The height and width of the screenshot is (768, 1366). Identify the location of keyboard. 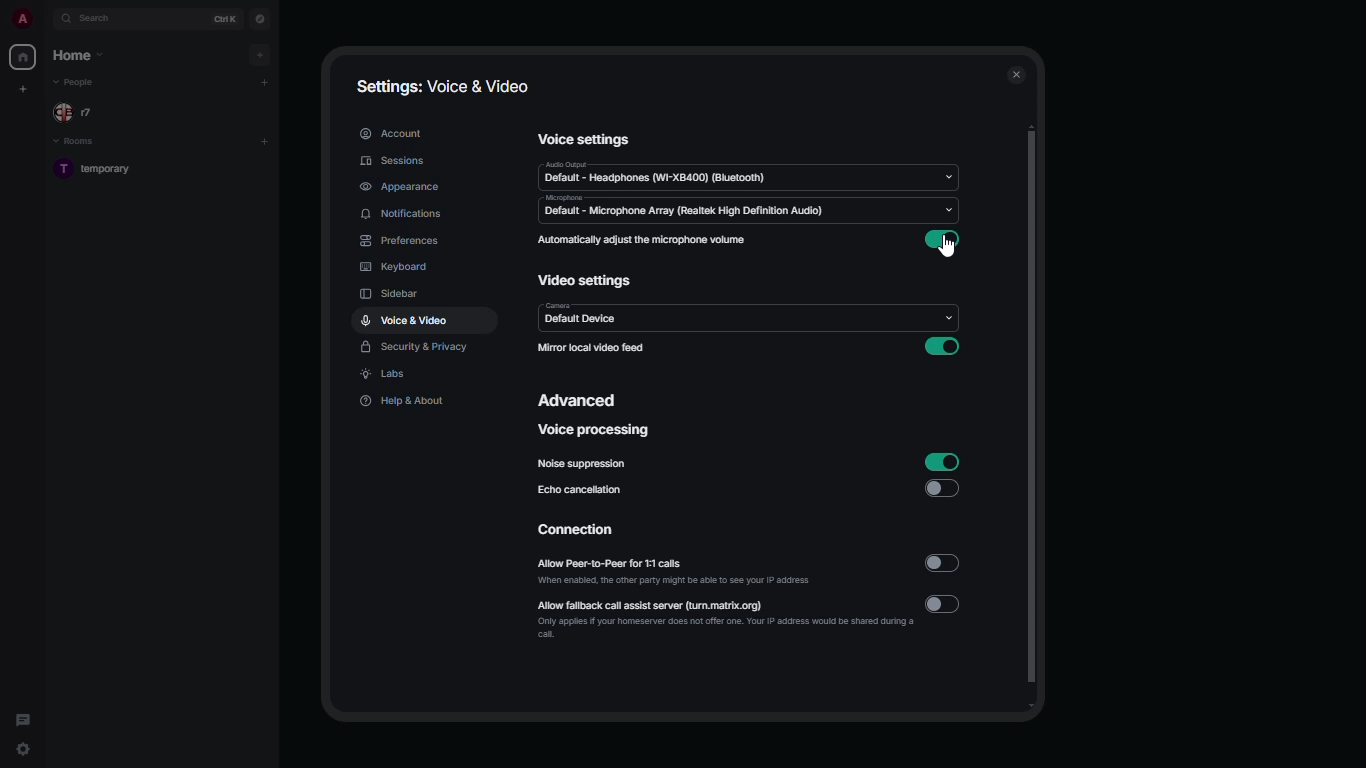
(394, 267).